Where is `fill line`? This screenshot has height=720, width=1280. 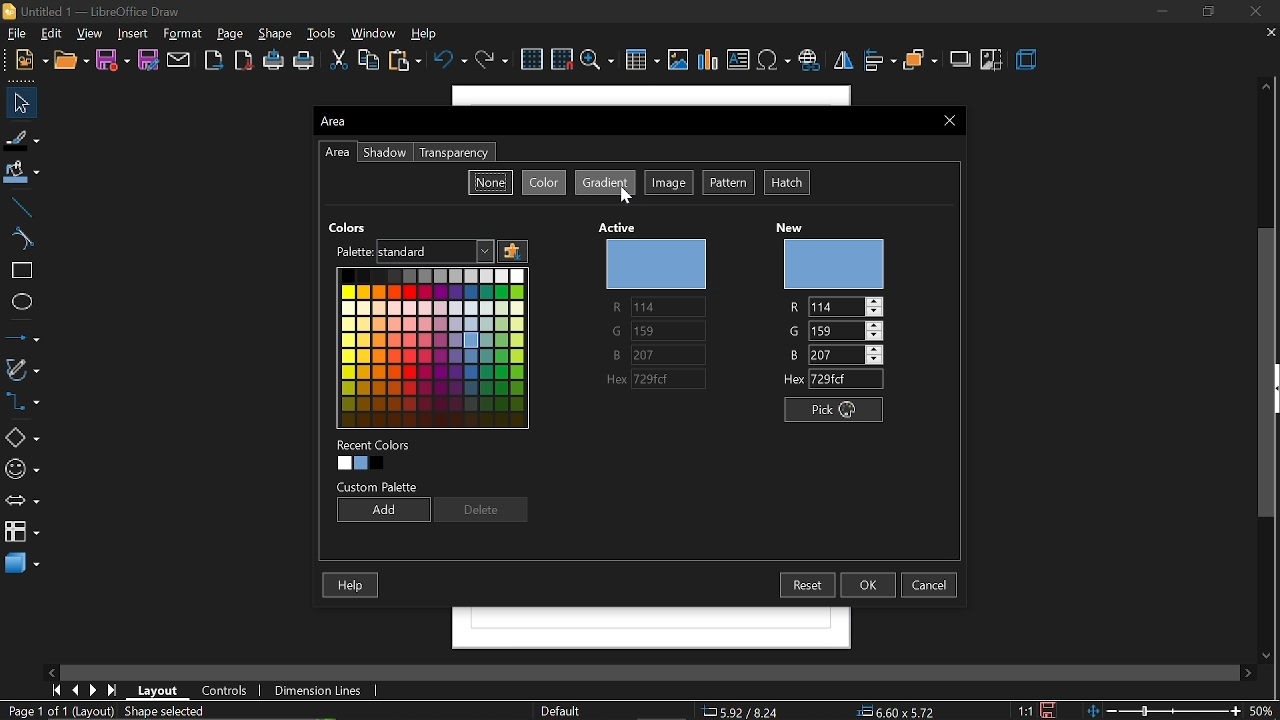
fill line is located at coordinates (23, 138).